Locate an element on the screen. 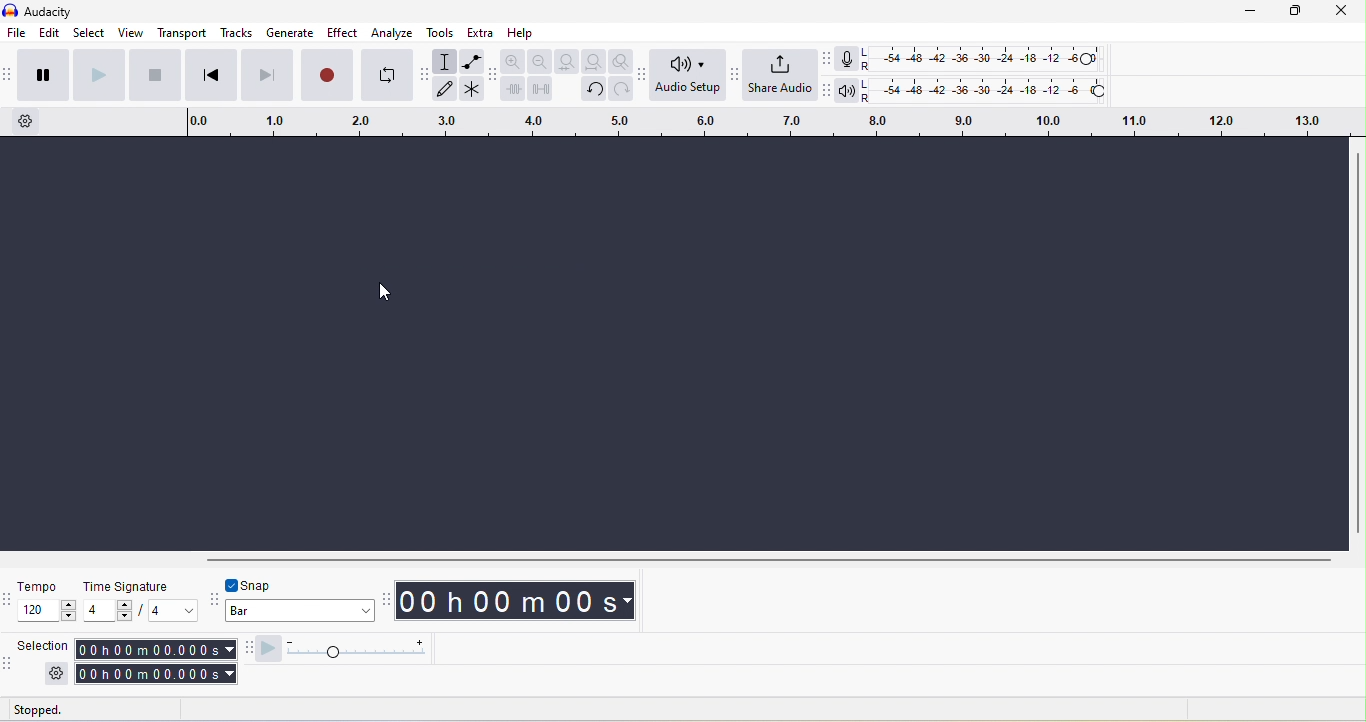 The width and height of the screenshot is (1366, 722). audacity is located at coordinates (48, 12).